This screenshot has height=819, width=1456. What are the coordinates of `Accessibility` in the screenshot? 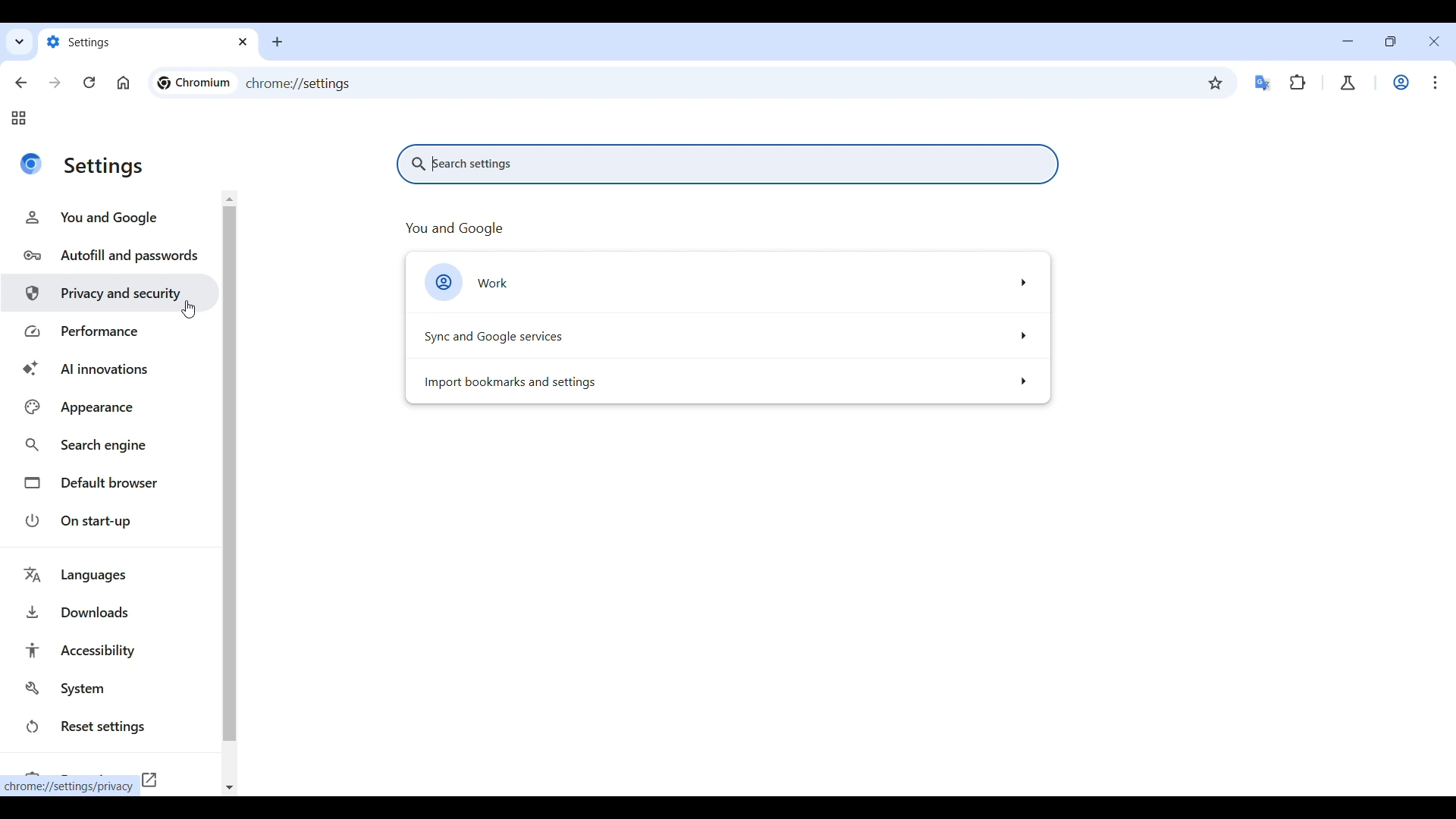 It's located at (112, 650).